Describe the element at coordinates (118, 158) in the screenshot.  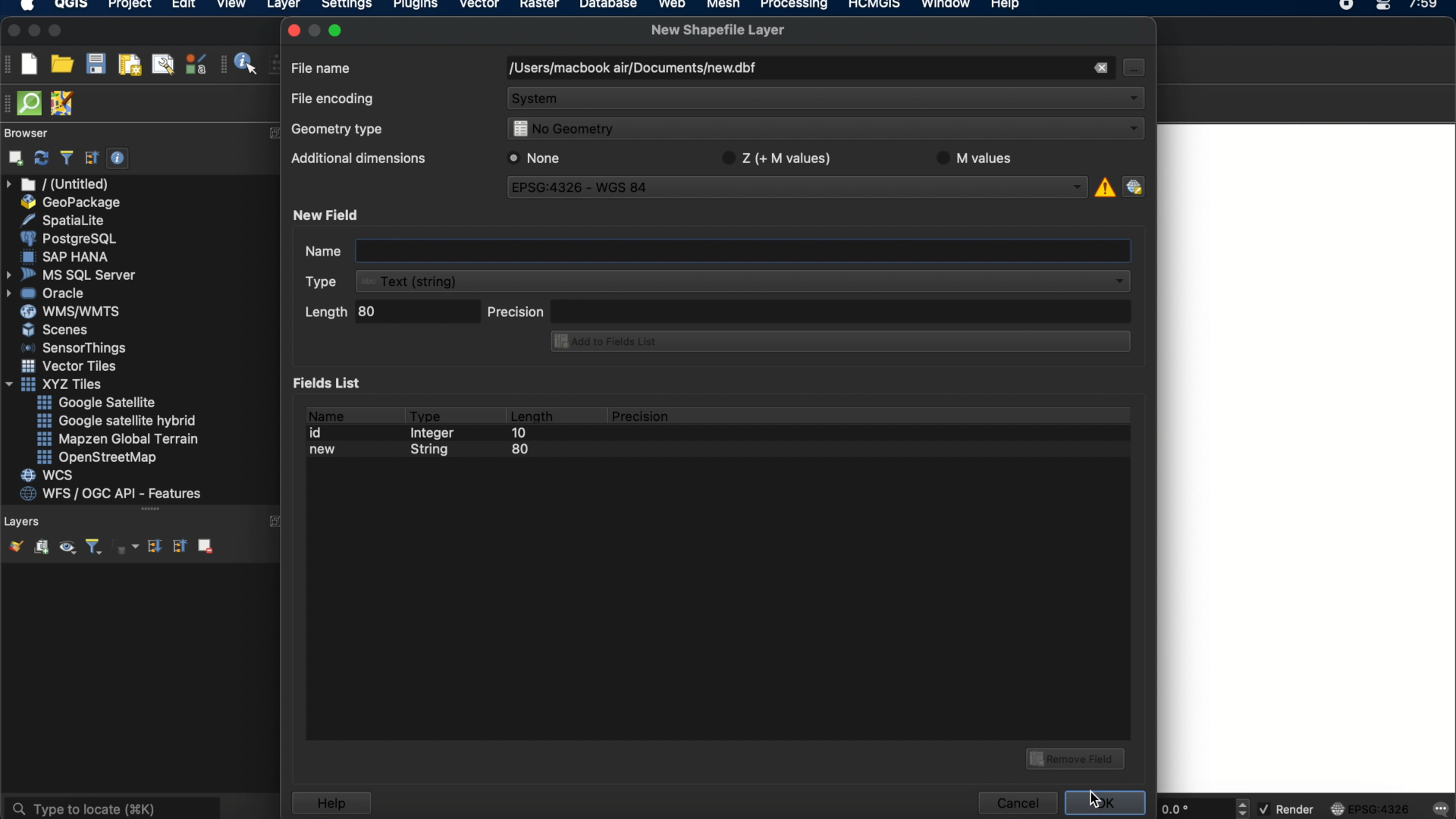
I see `enable/disable properties widget` at that location.